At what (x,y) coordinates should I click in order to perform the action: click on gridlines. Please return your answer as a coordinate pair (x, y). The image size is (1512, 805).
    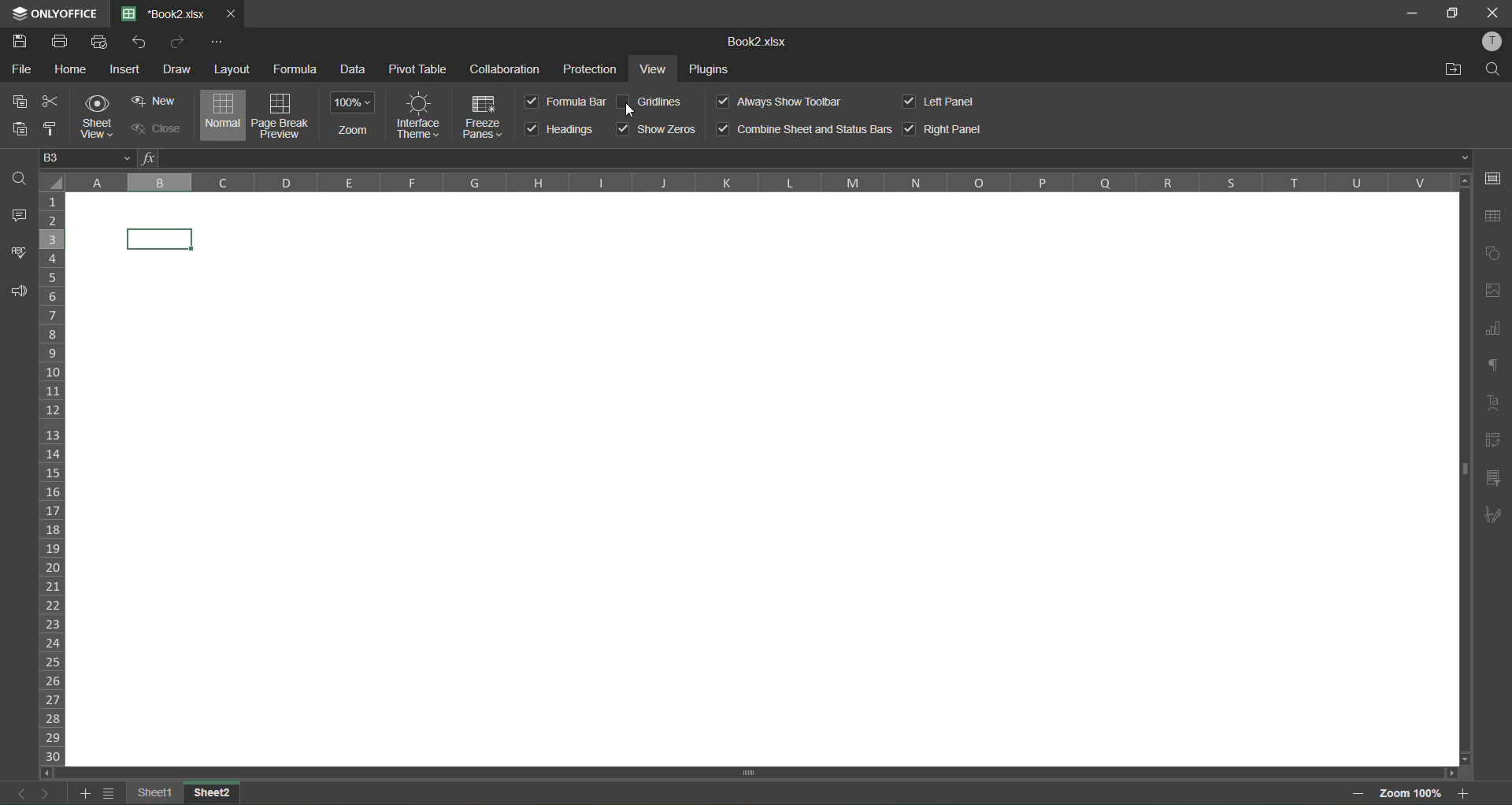
    Looking at the image, I should click on (660, 102).